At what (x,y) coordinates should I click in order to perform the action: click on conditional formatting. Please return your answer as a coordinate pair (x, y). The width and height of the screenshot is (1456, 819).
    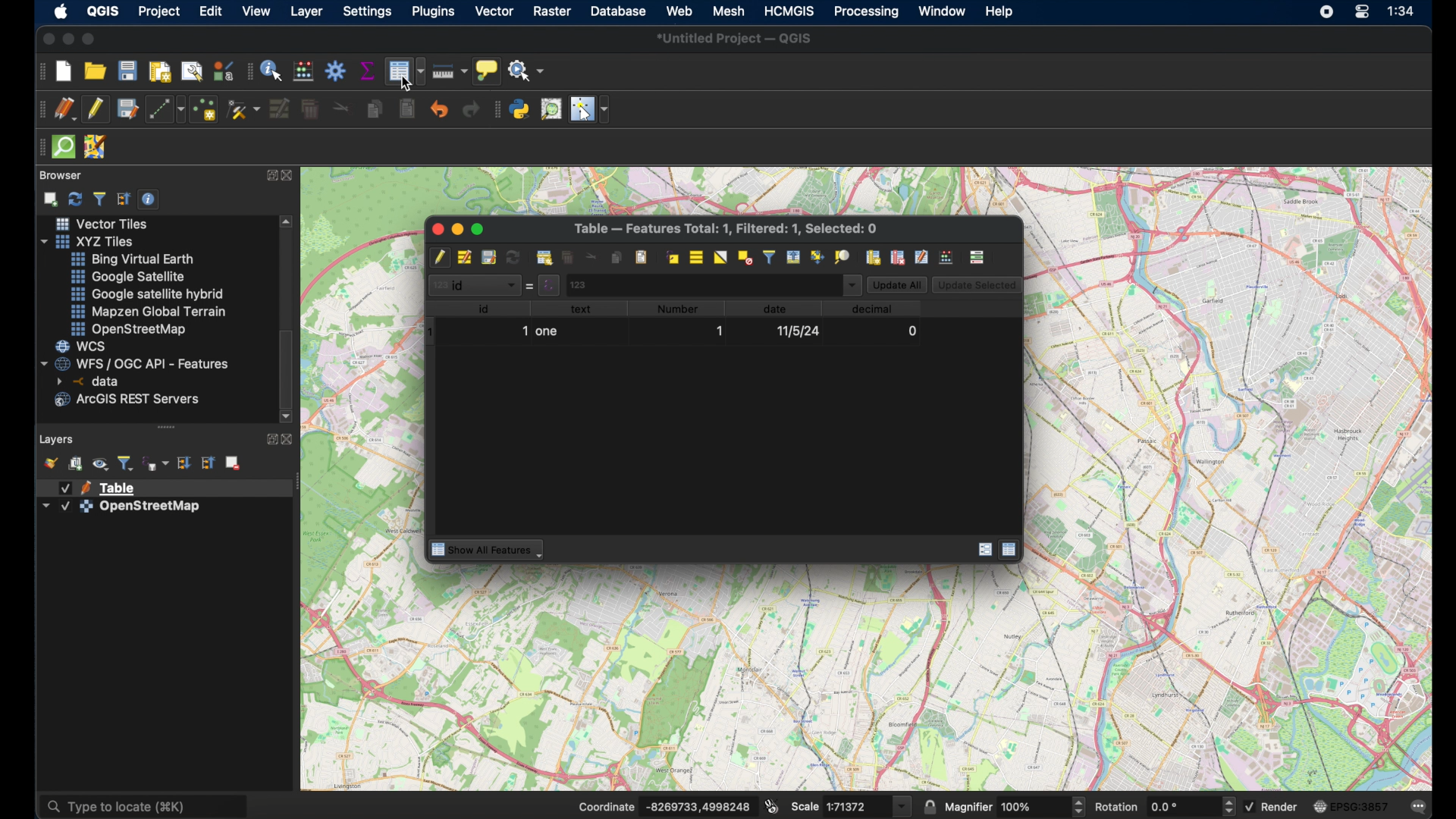
    Looking at the image, I should click on (980, 256).